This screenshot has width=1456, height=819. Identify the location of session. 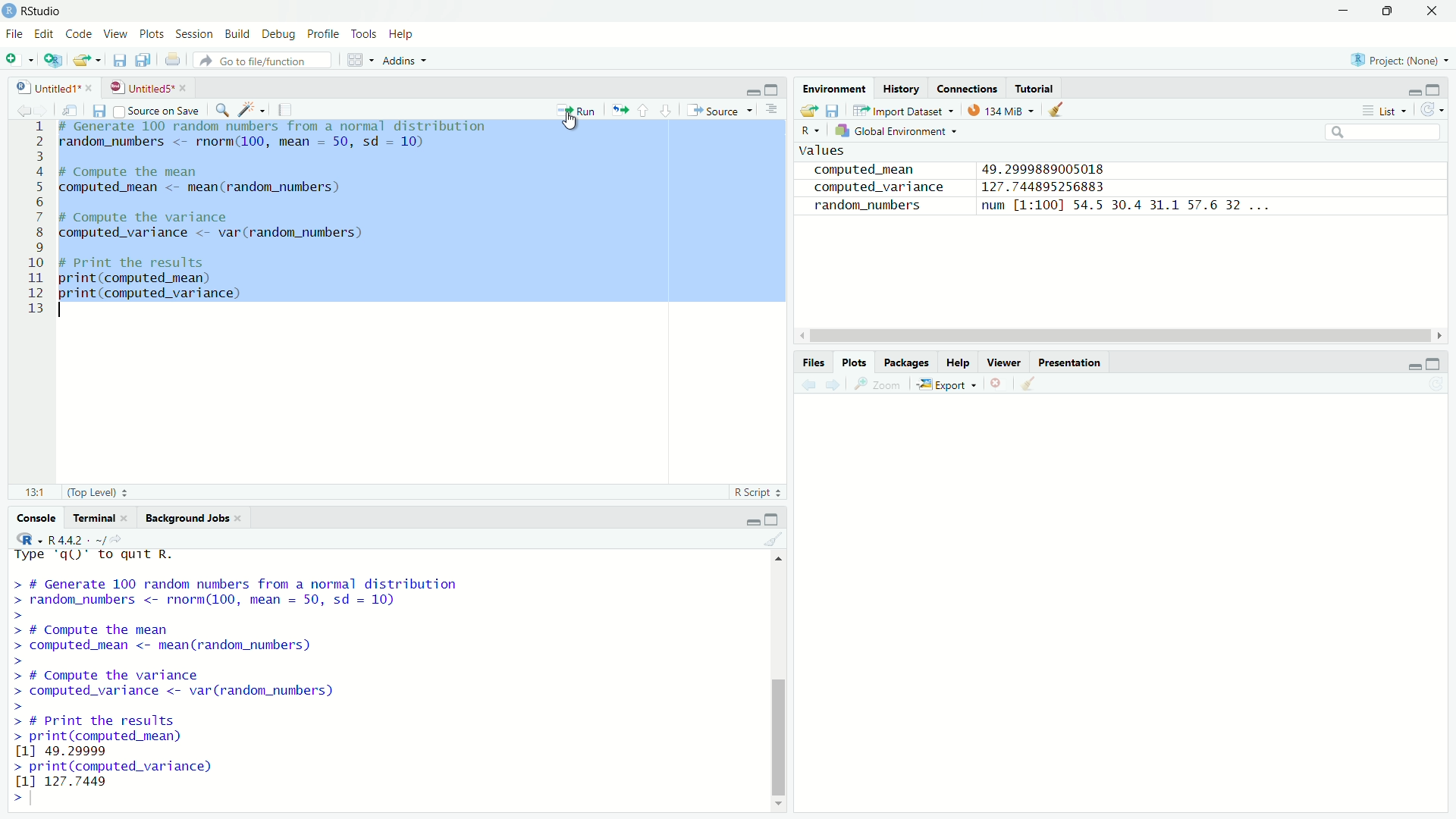
(196, 35).